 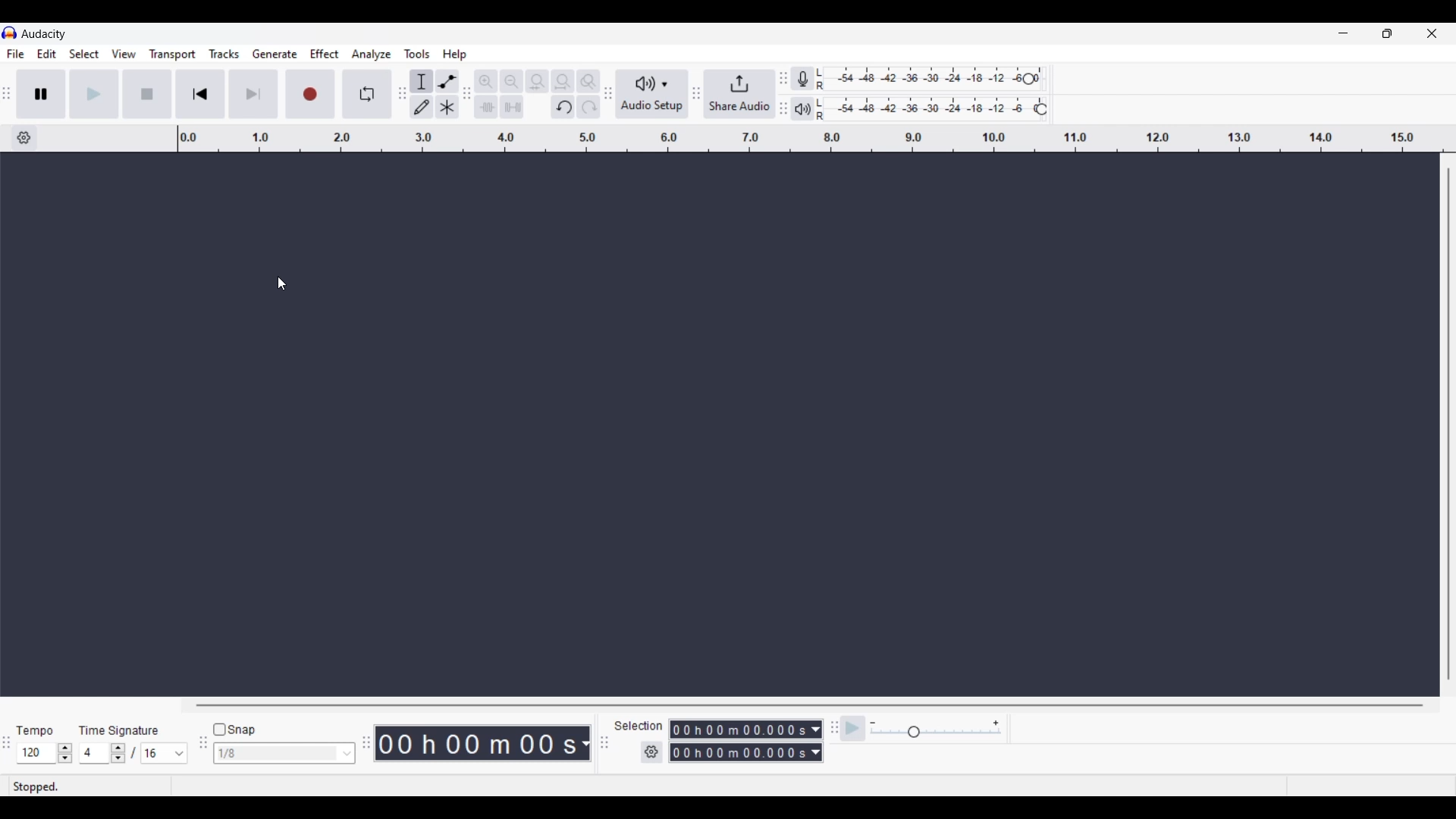 What do you see at coordinates (372, 54) in the screenshot?
I see `Analyze menu` at bounding box center [372, 54].